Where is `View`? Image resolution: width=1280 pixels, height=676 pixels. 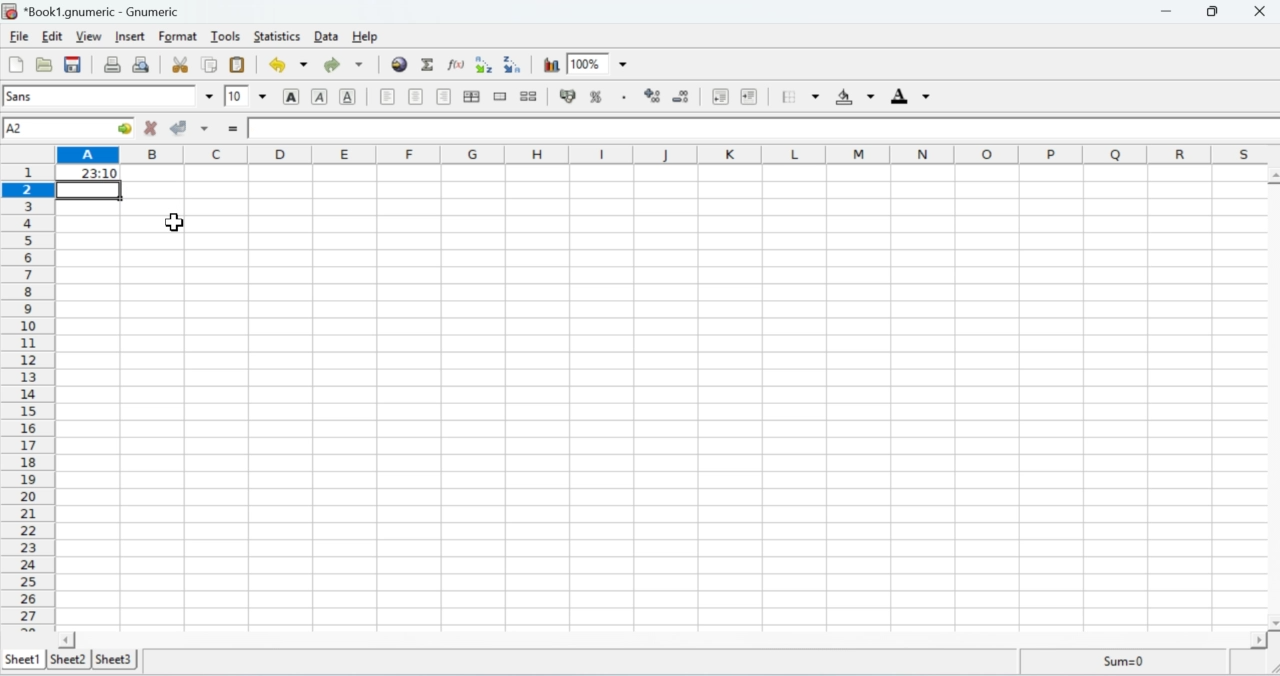 View is located at coordinates (90, 38).